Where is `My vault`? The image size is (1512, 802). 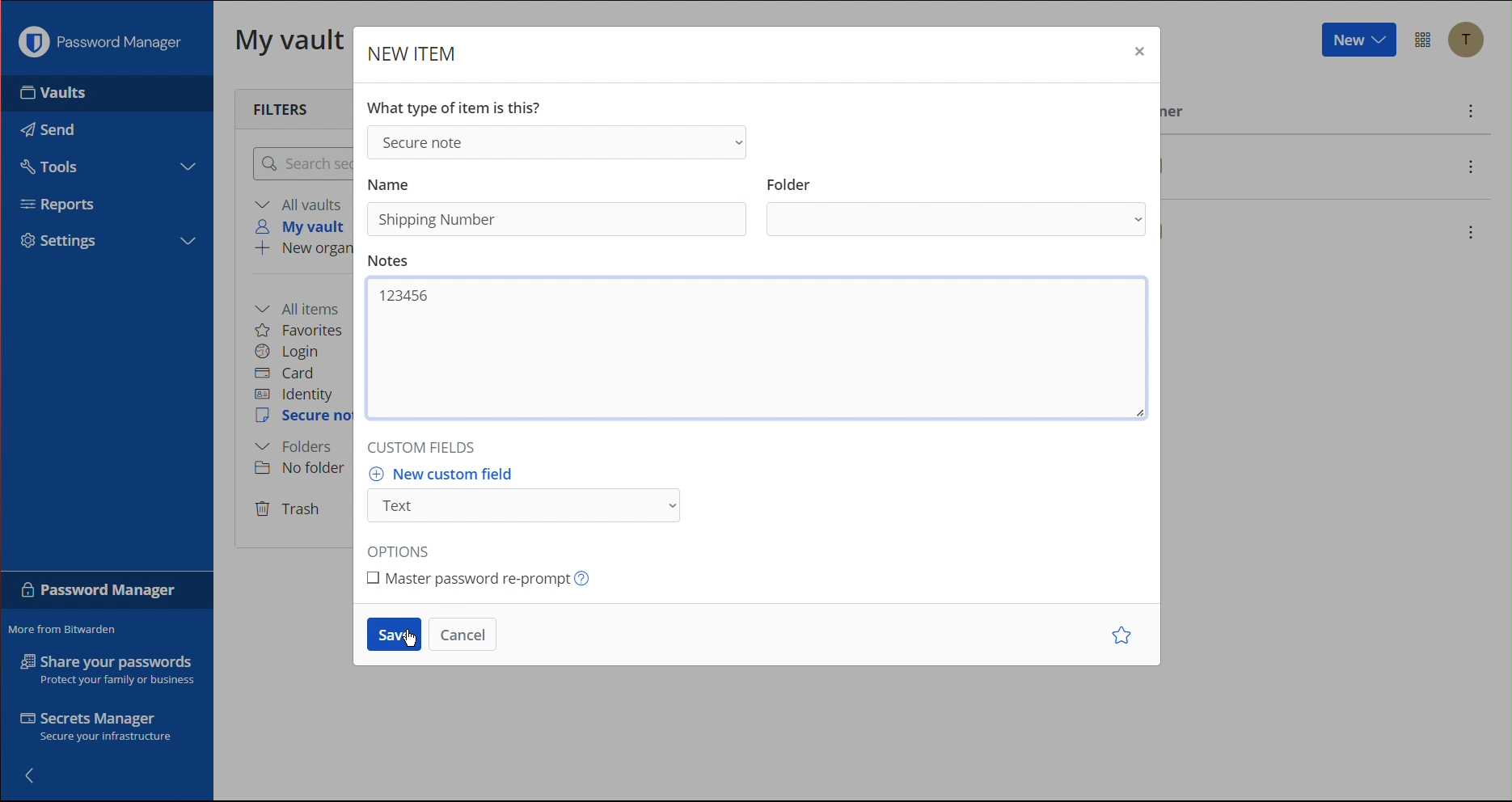
My vault is located at coordinates (291, 44).